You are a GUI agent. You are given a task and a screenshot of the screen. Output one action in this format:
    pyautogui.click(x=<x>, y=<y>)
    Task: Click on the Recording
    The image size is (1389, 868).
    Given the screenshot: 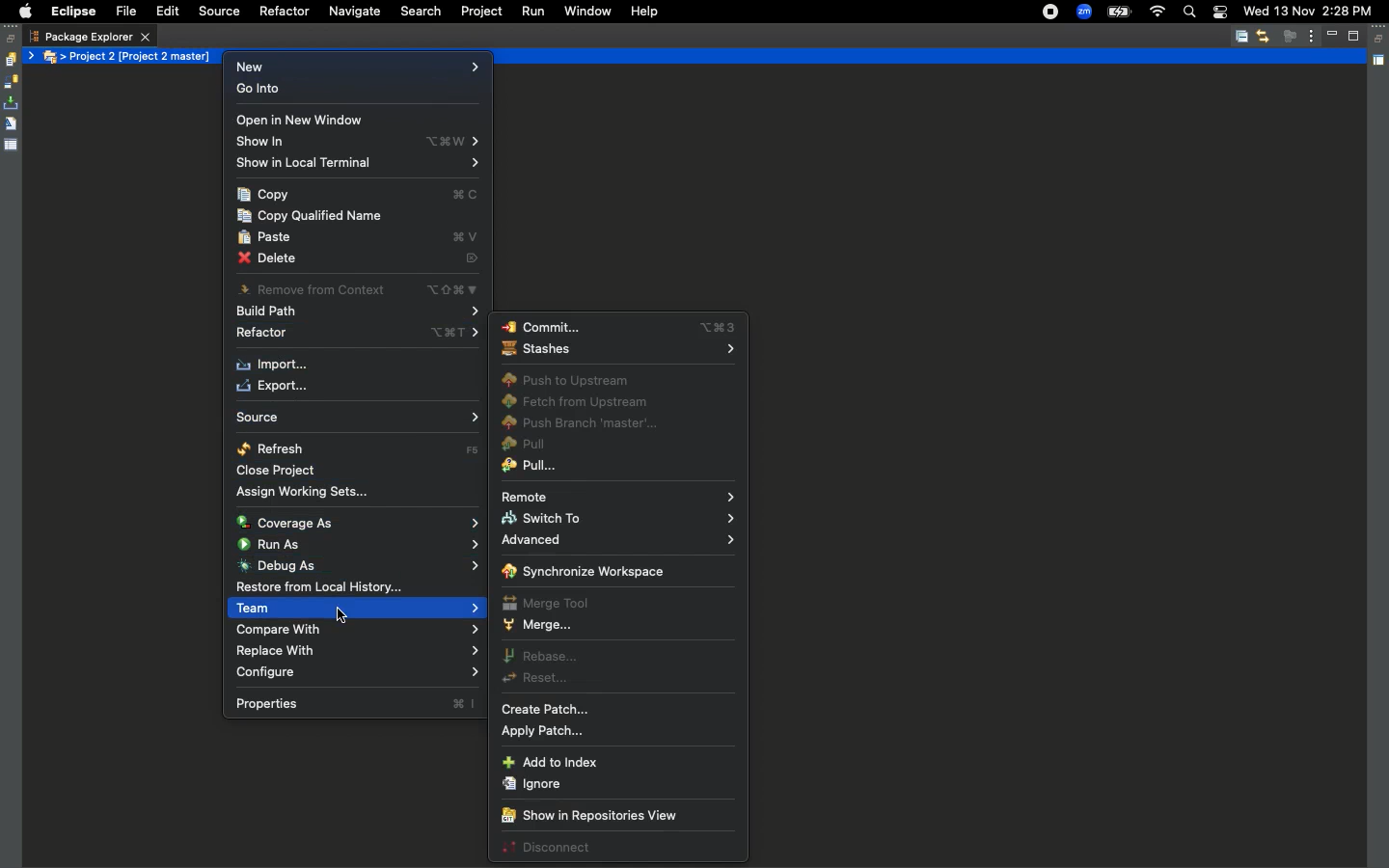 What is the action you would take?
    pyautogui.click(x=1051, y=12)
    